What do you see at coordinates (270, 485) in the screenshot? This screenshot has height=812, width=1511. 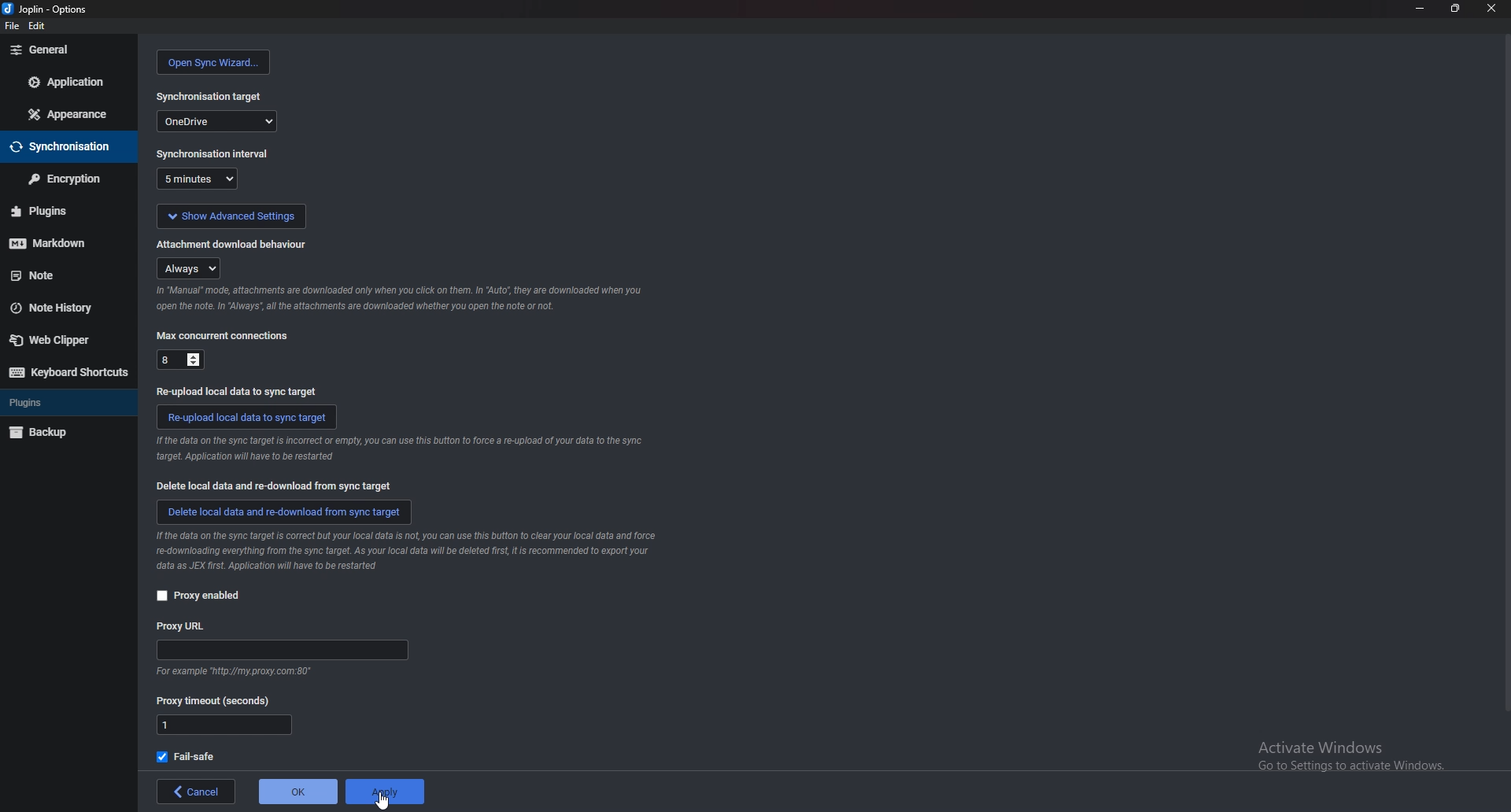 I see `delete local data` at bounding box center [270, 485].